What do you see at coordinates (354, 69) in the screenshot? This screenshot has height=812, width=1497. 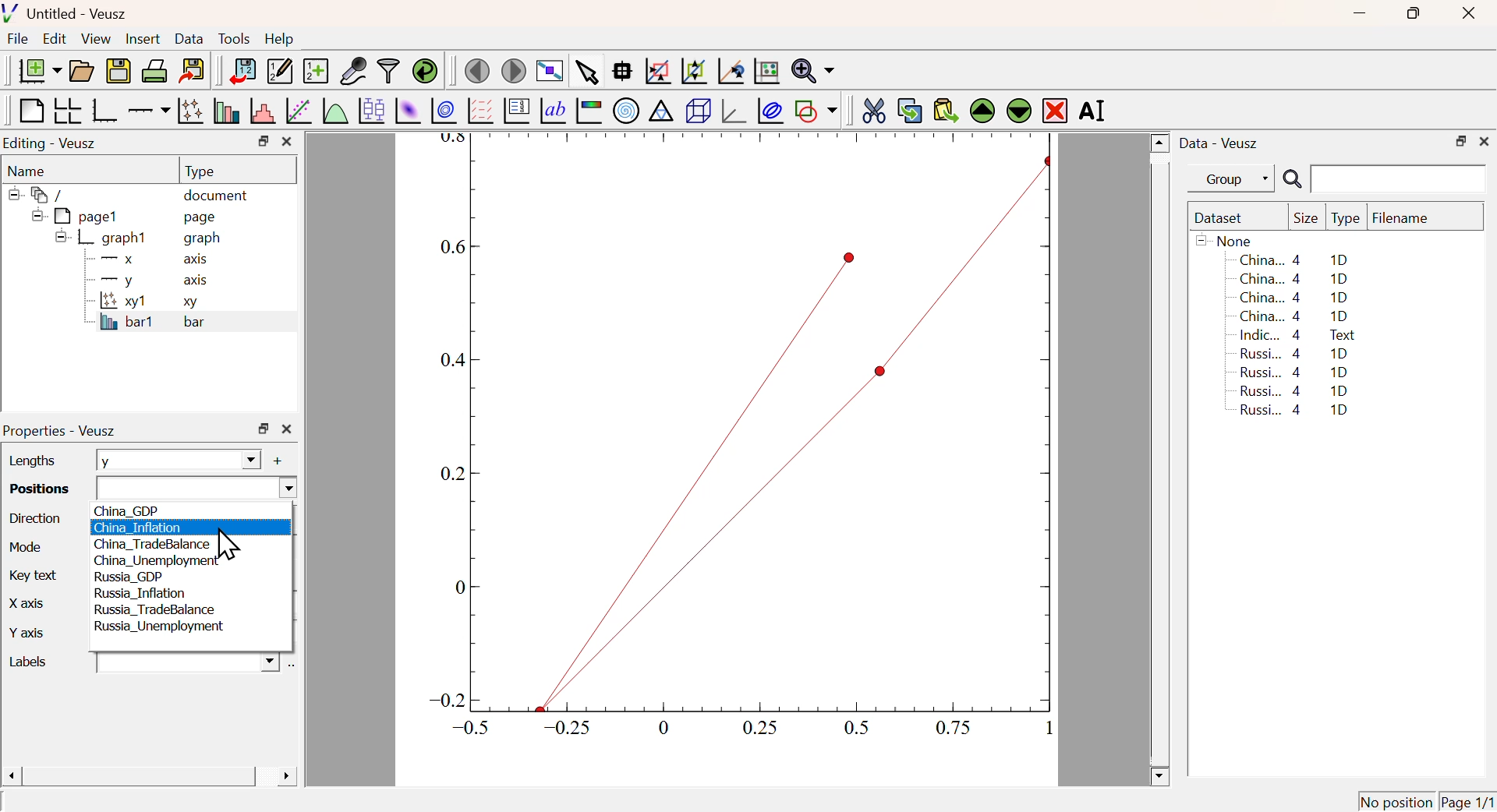 I see `Capture Remote Data` at bounding box center [354, 69].